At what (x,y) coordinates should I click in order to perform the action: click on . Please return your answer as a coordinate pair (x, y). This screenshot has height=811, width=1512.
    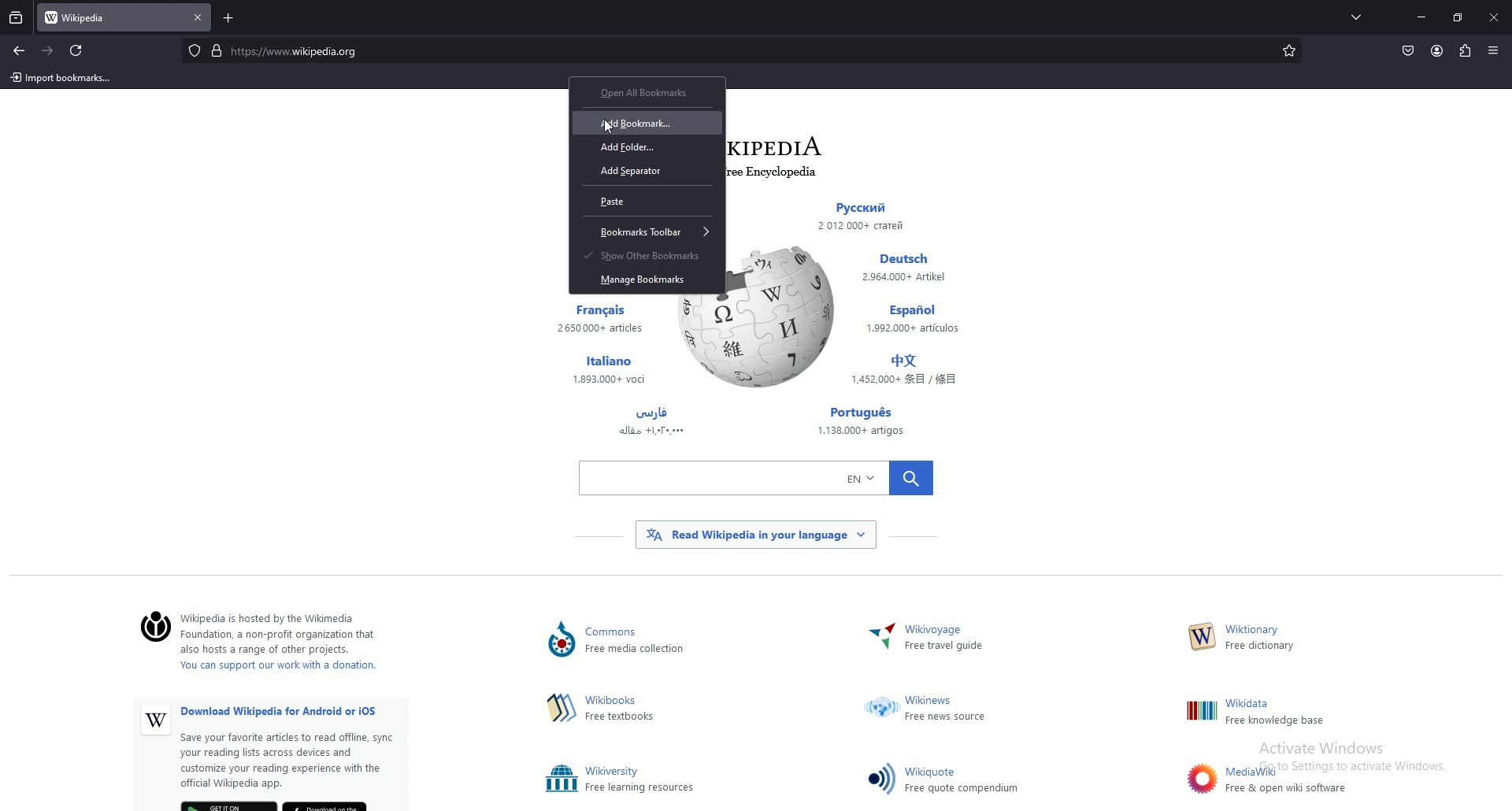
    Looking at the image, I should click on (916, 271).